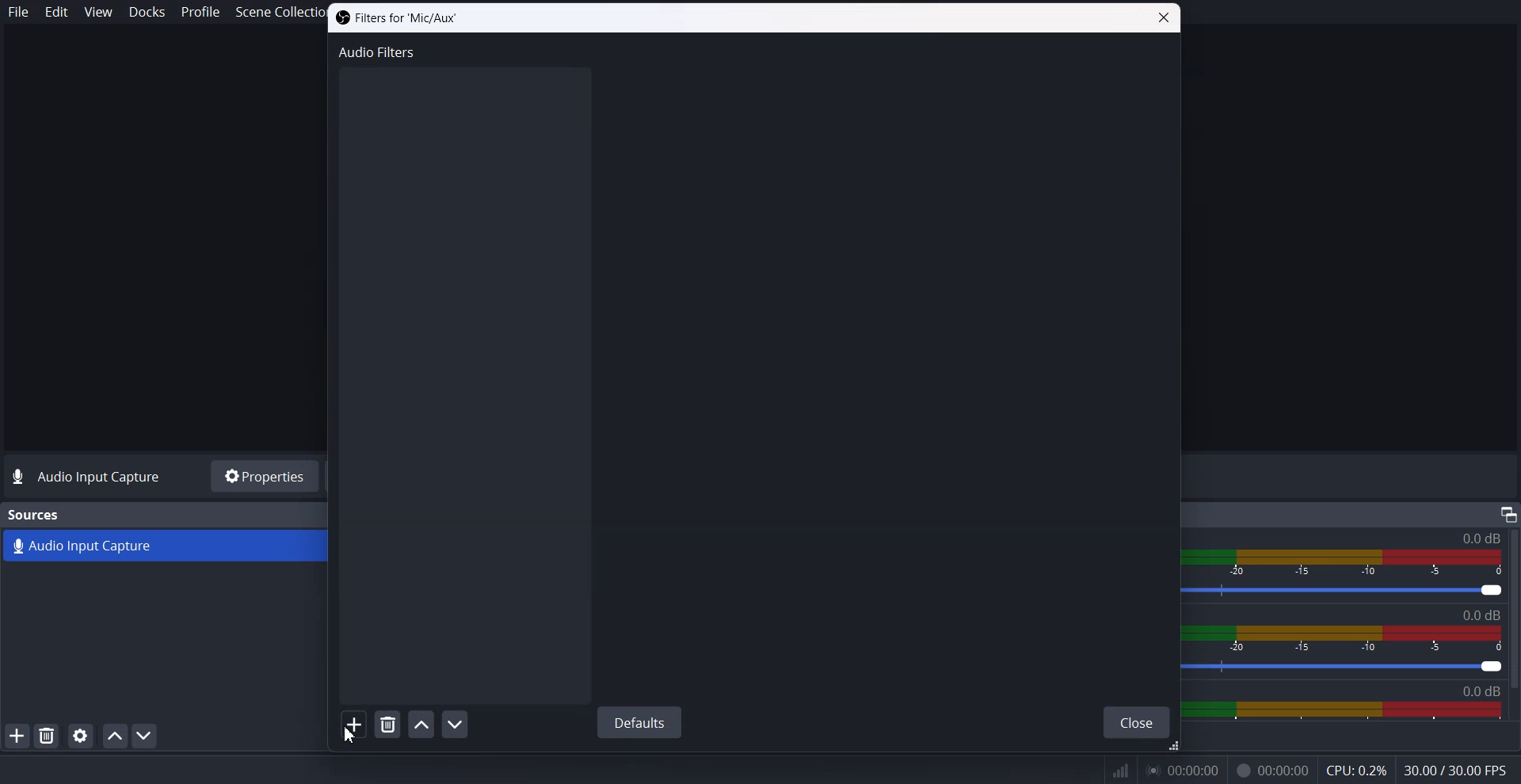 This screenshot has width=1521, height=784. I want to click on 30.00/300, so click(1461, 771).